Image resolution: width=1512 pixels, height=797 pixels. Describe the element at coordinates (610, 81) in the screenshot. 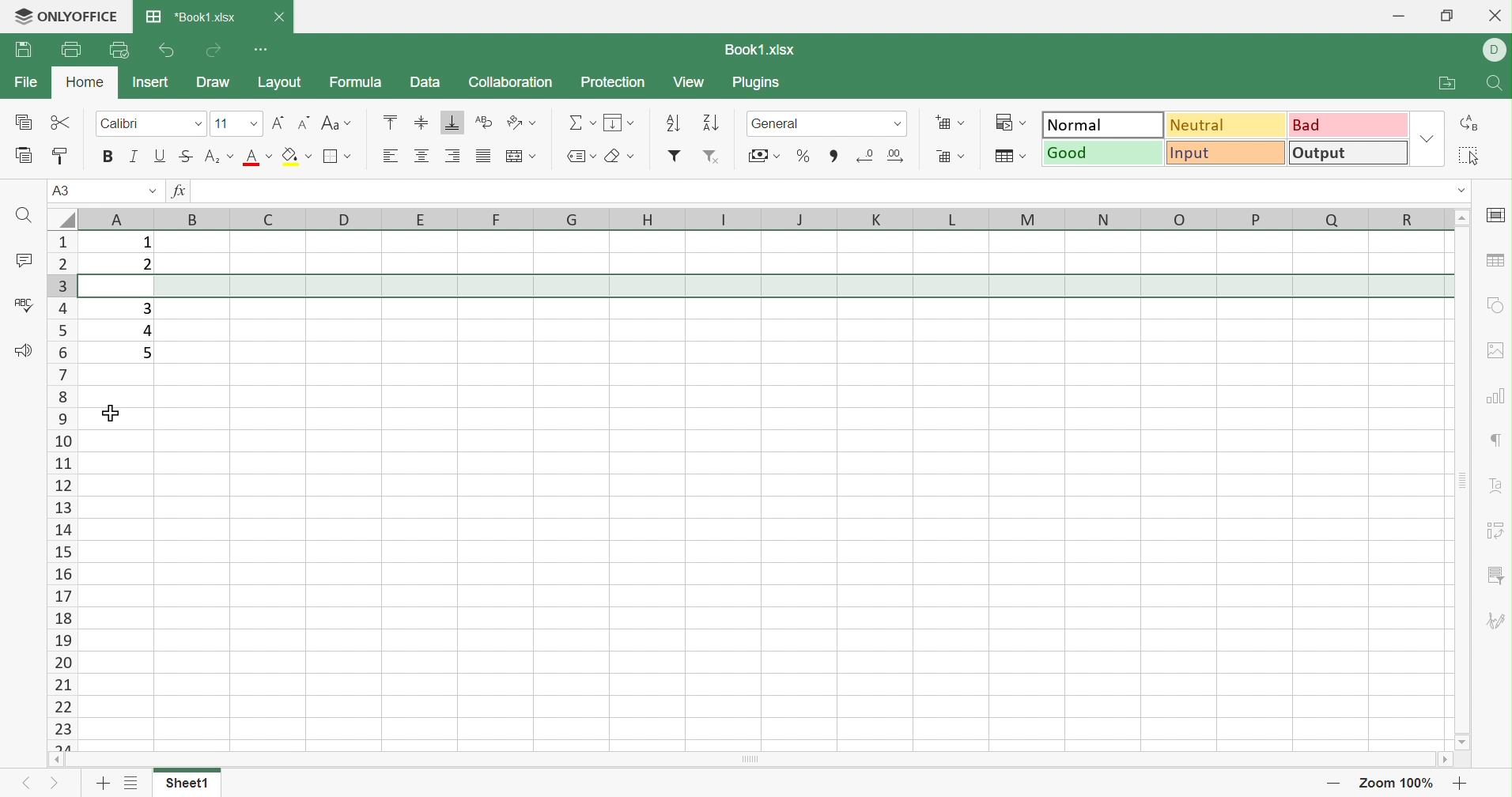

I see `Protection` at that location.